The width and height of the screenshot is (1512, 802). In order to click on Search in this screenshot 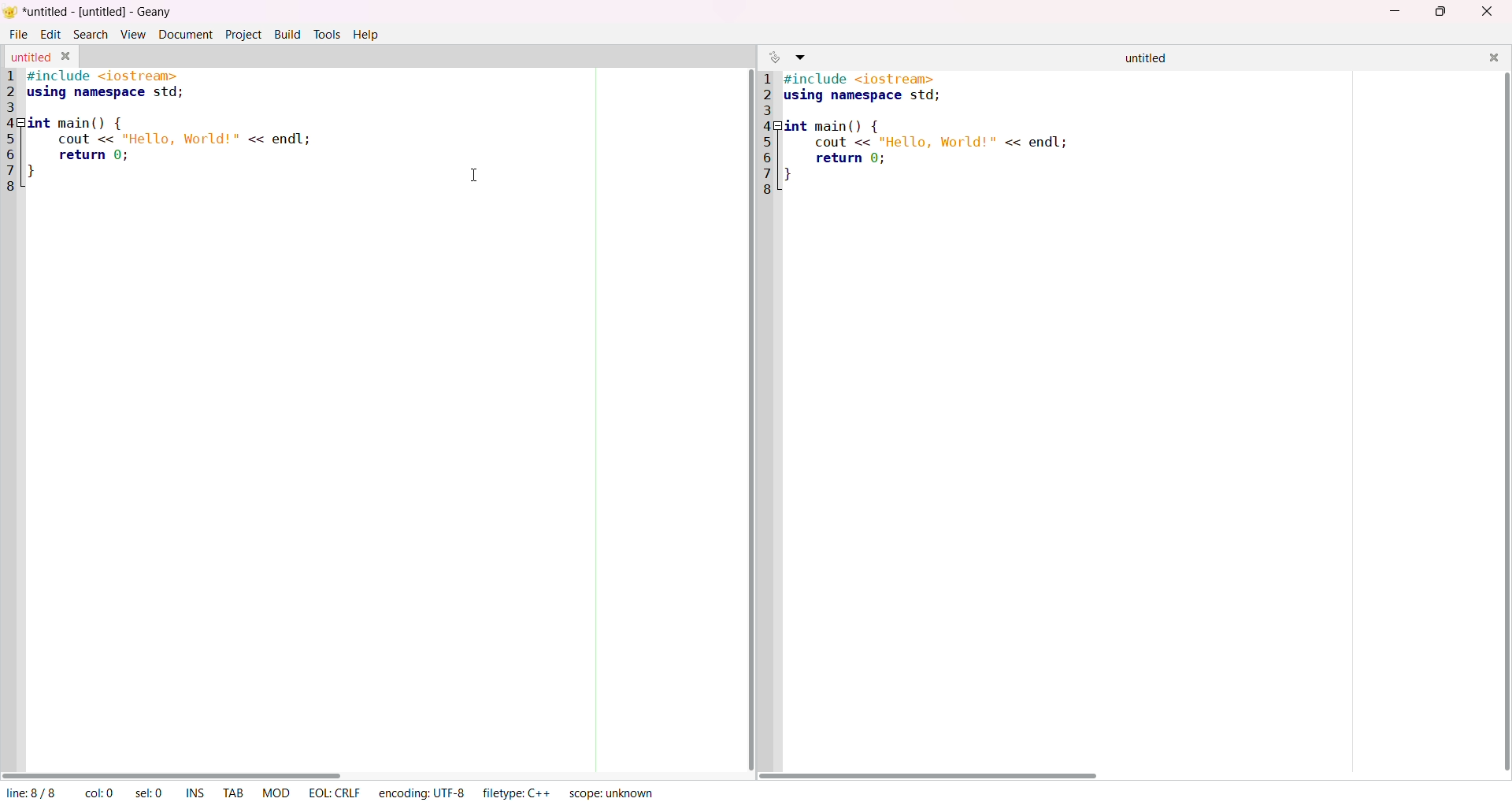, I will do `click(92, 35)`.